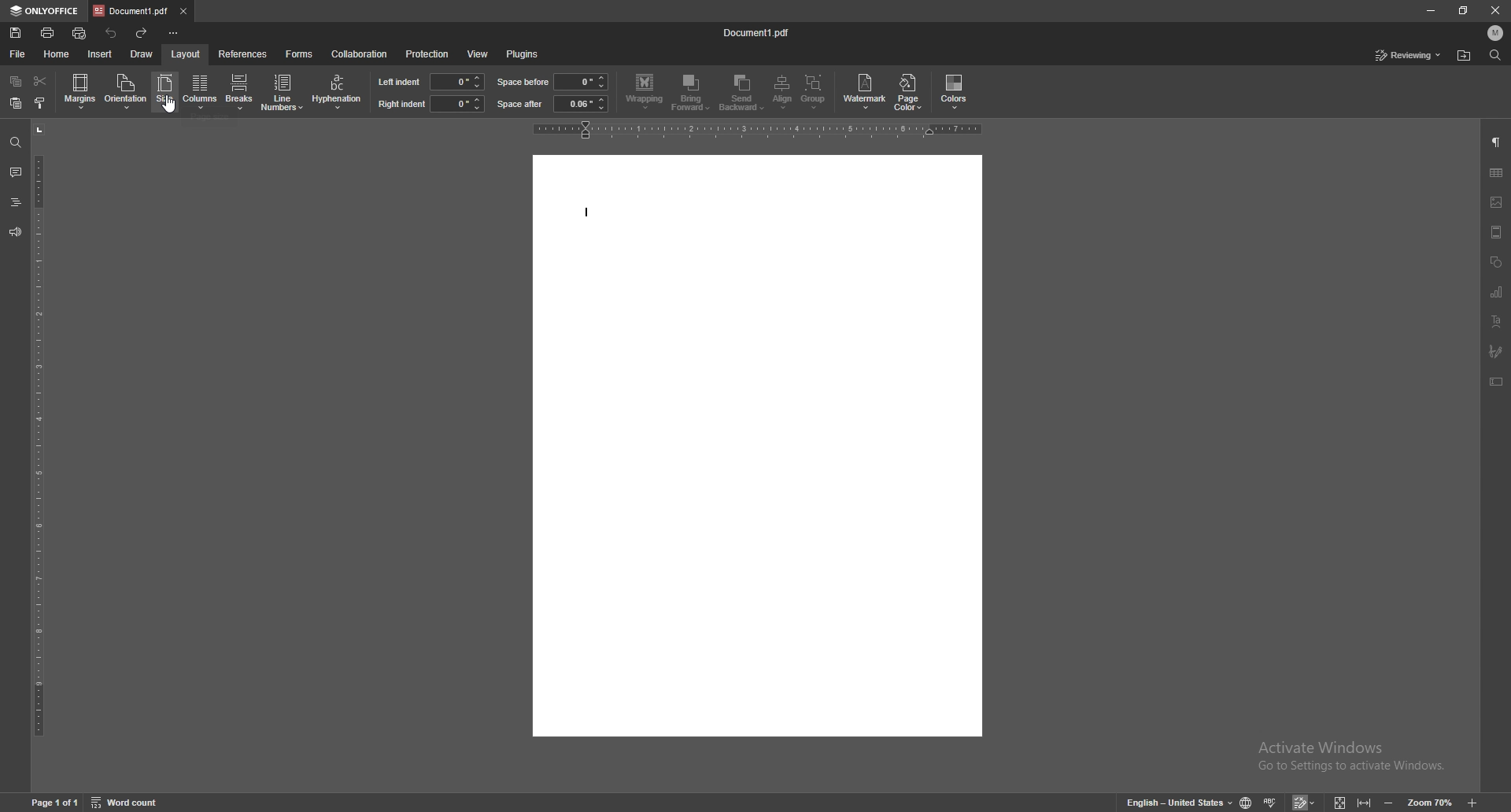 The height and width of the screenshot is (812, 1511). What do you see at coordinates (40, 101) in the screenshot?
I see `copy style` at bounding box center [40, 101].